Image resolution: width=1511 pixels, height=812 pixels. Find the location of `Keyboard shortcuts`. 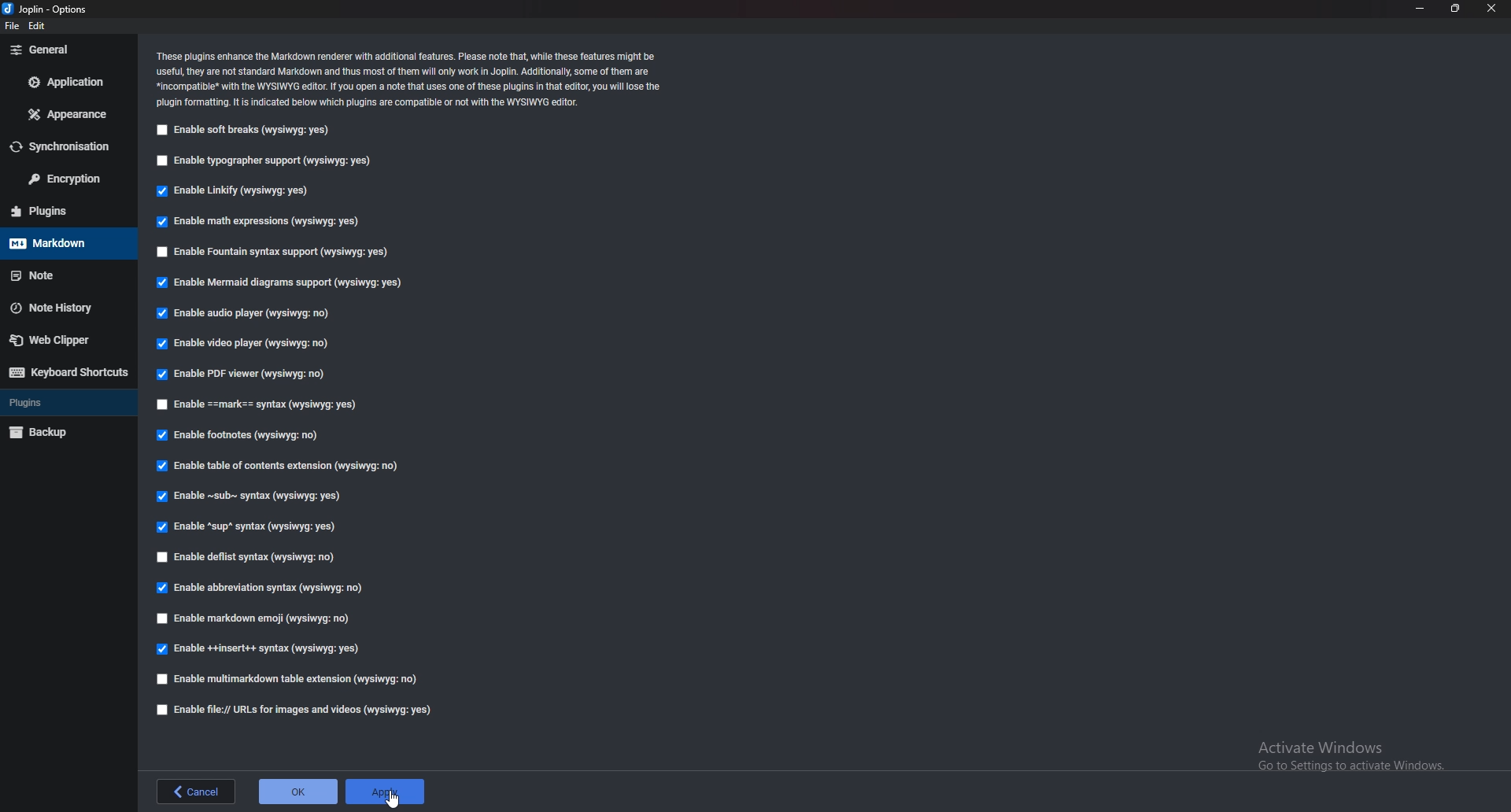

Keyboard shortcuts is located at coordinates (68, 374).